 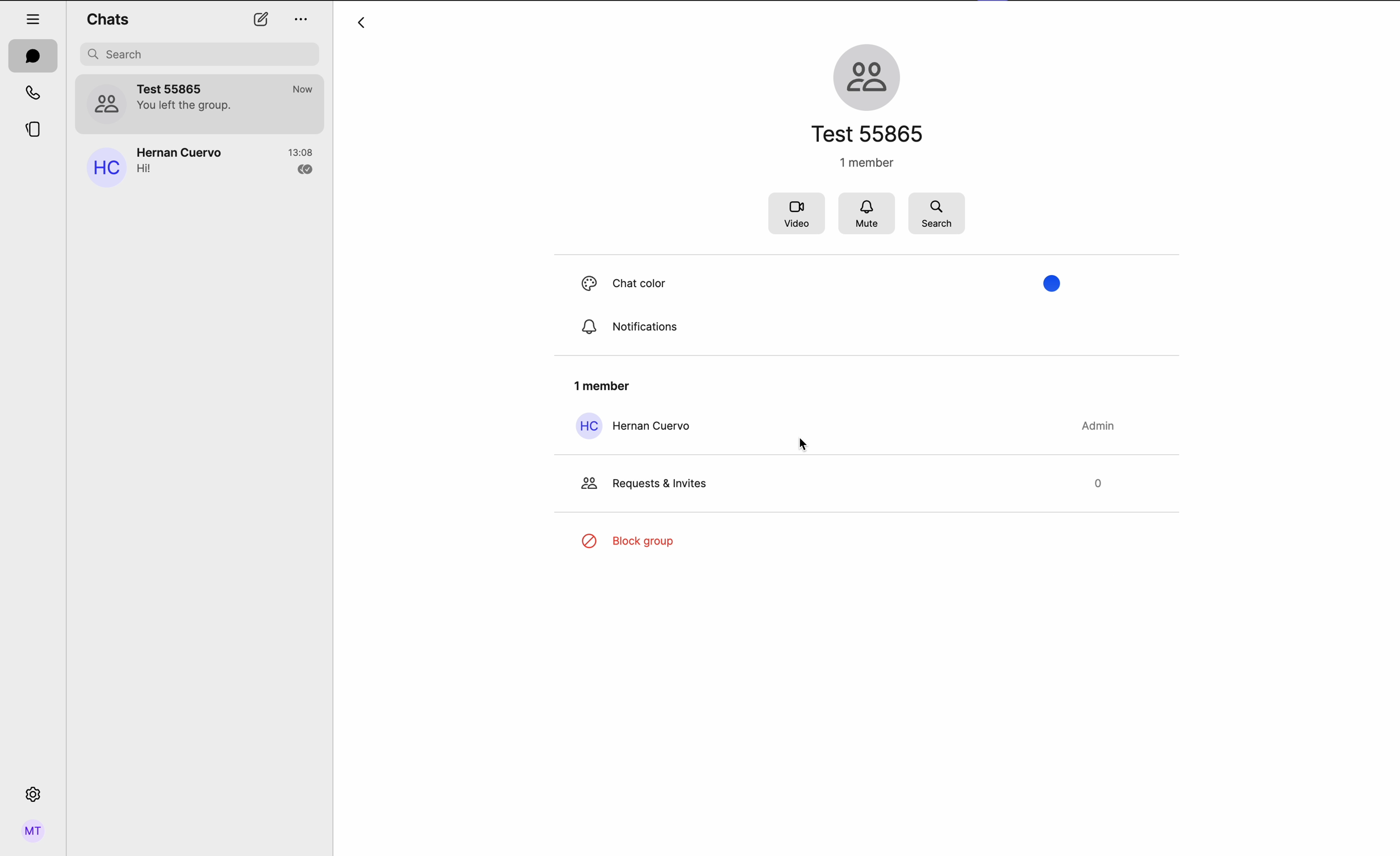 What do you see at coordinates (35, 130) in the screenshot?
I see `threads` at bounding box center [35, 130].